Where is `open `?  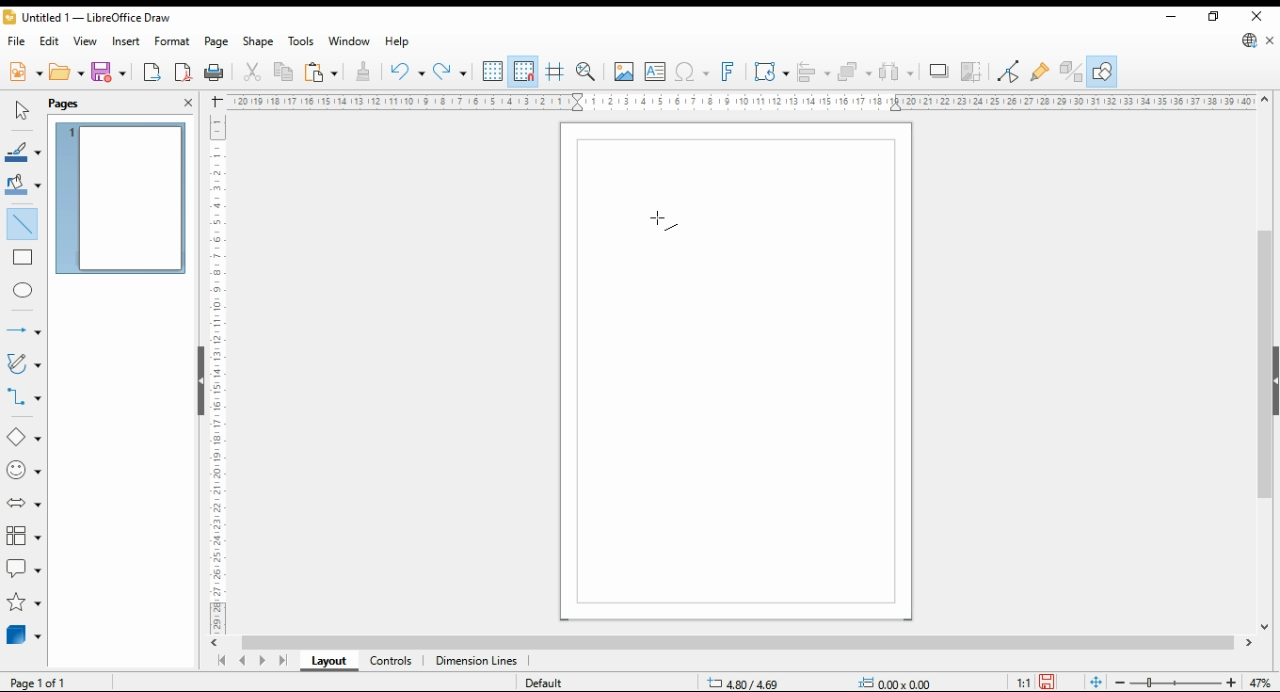
open  is located at coordinates (67, 72).